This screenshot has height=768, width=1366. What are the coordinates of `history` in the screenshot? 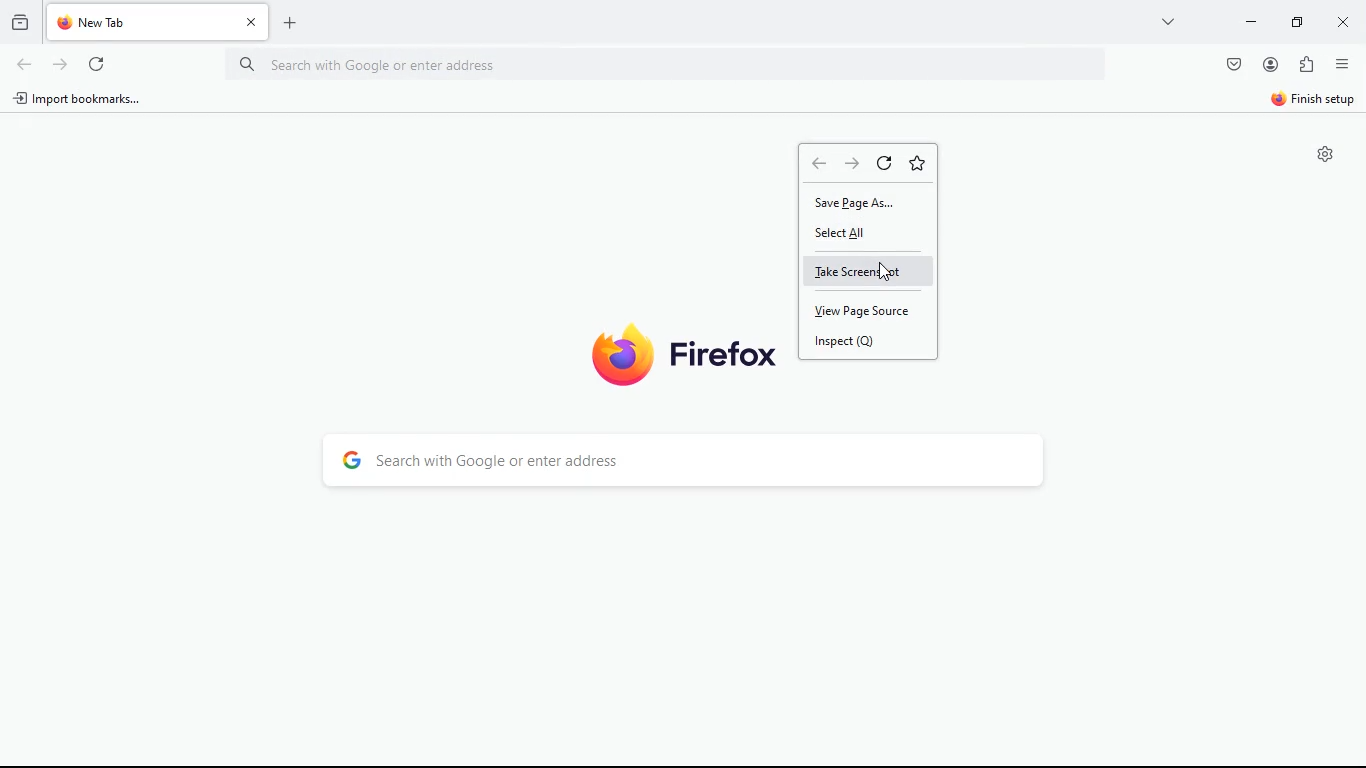 It's located at (18, 20).